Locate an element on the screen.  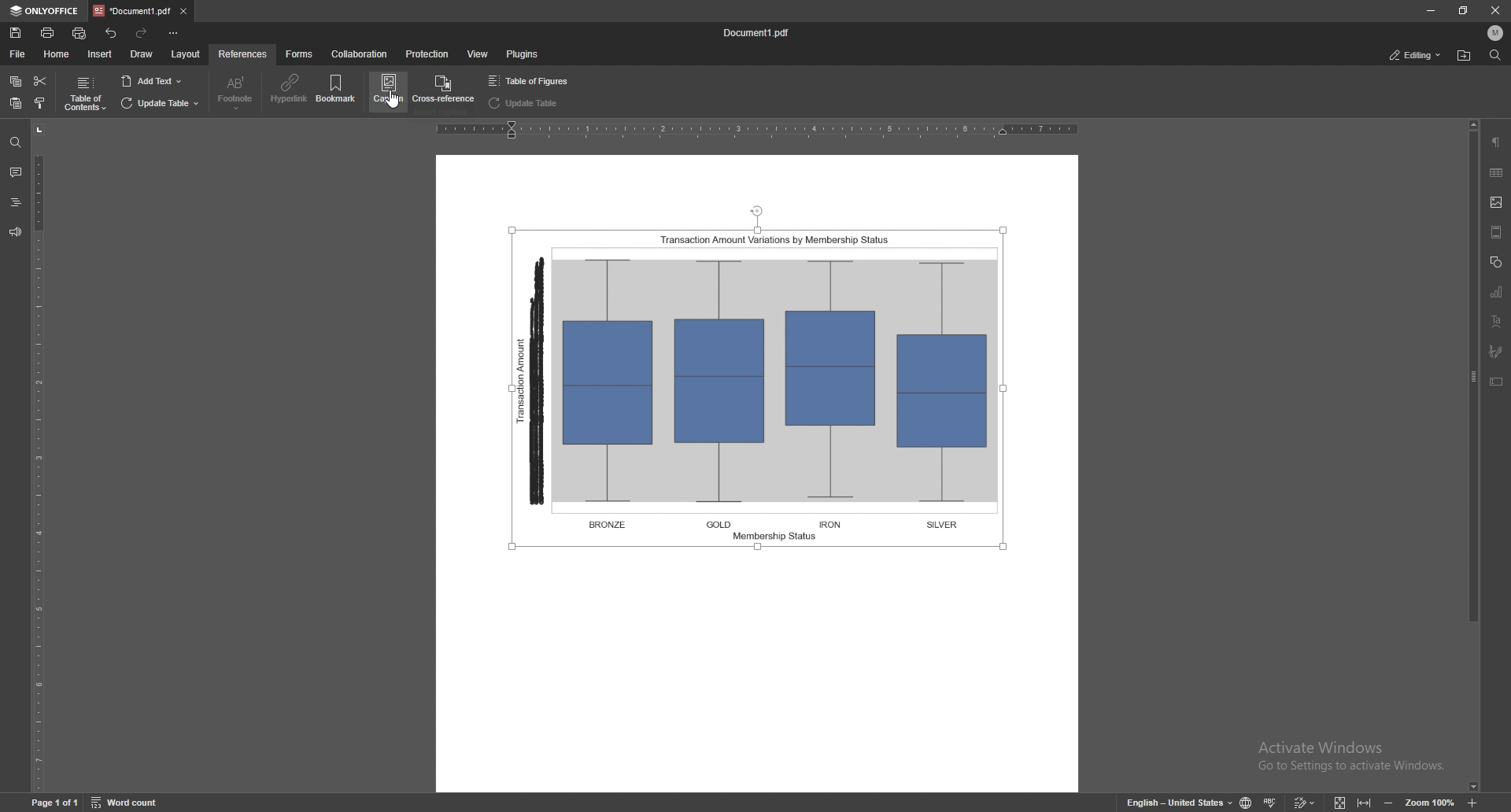
bookmark is located at coordinates (338, 90).